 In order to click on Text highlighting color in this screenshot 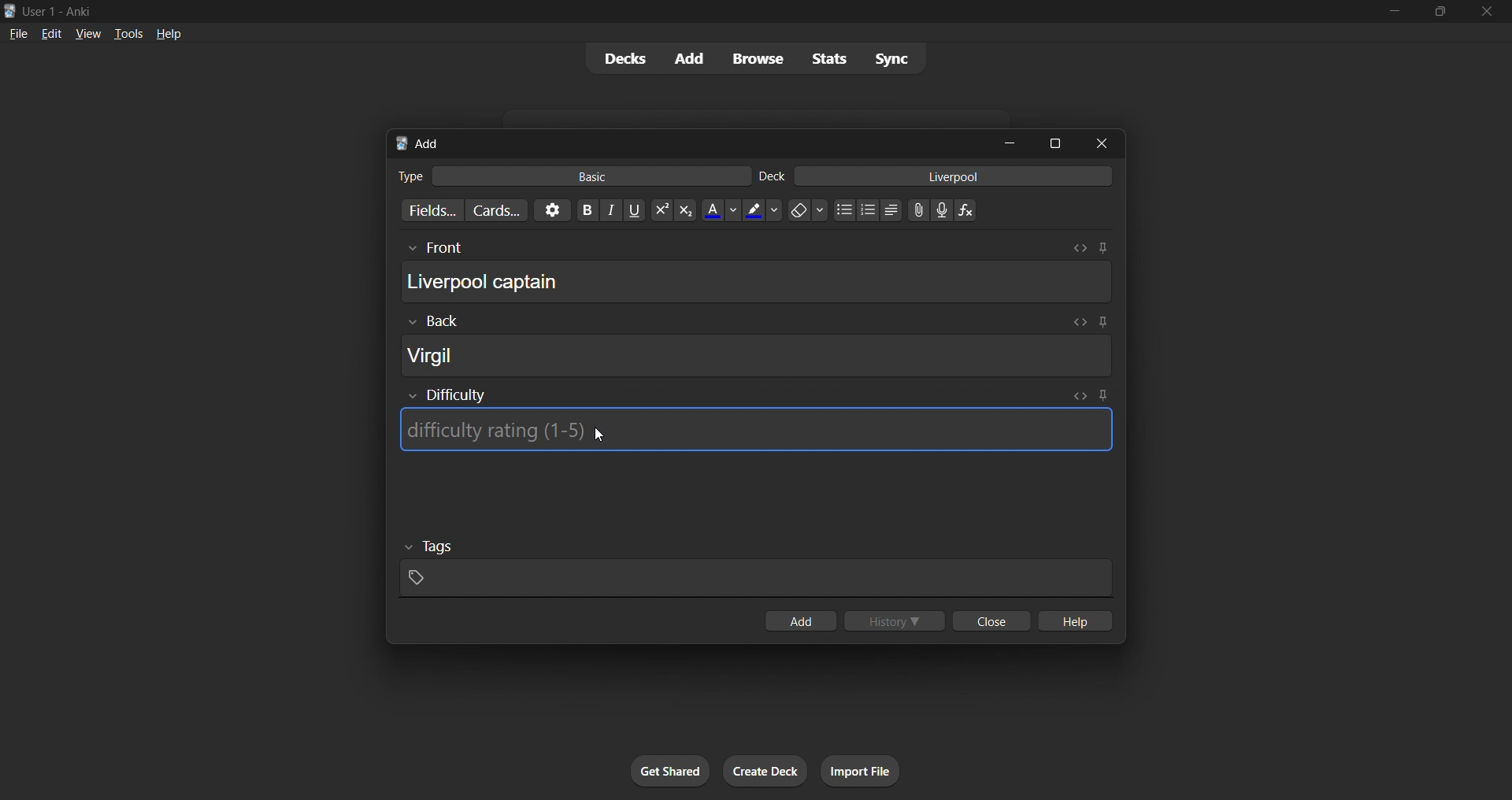, I will do `click(762, 210)`.